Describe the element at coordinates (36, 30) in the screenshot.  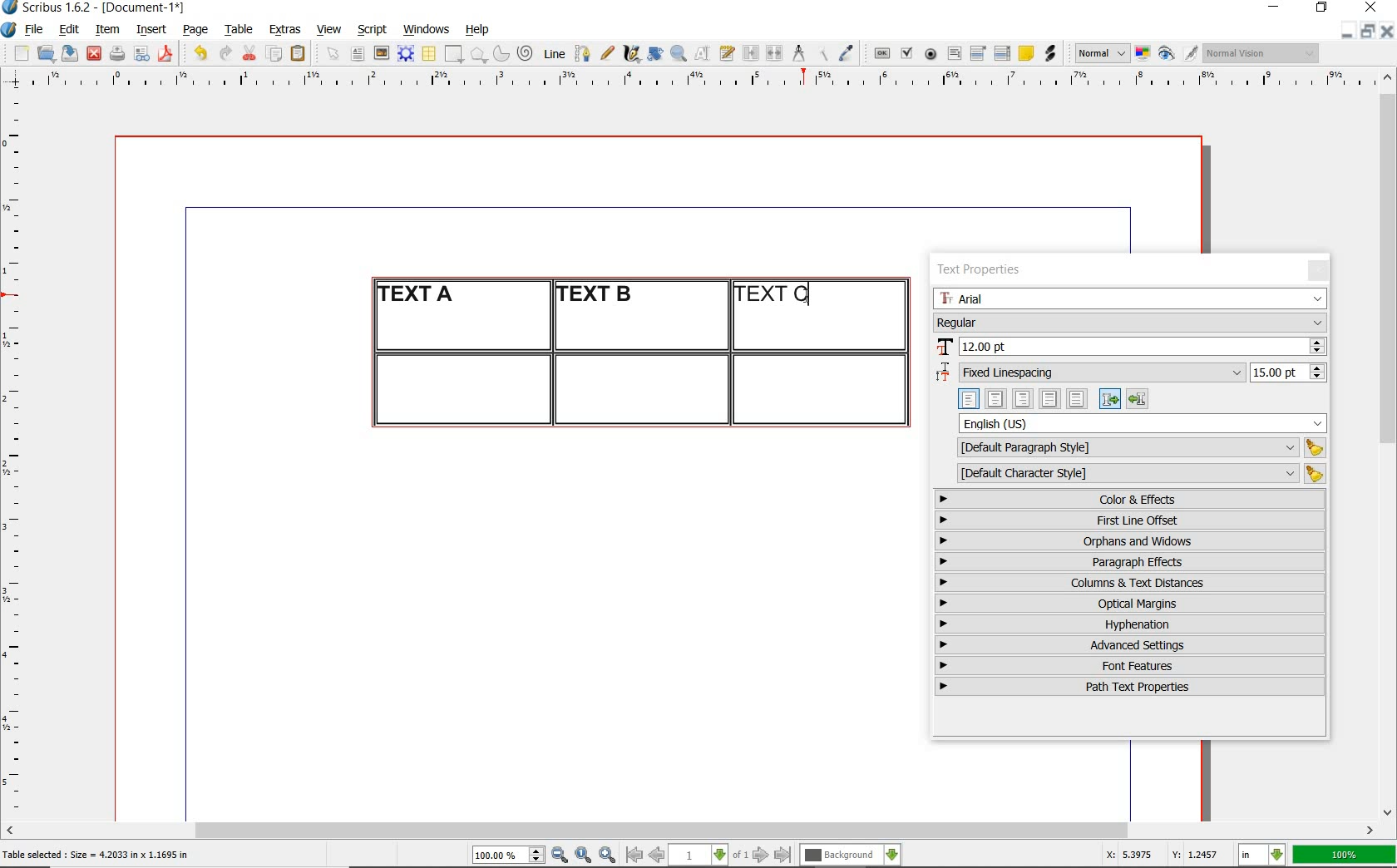
I see `file` at that location.